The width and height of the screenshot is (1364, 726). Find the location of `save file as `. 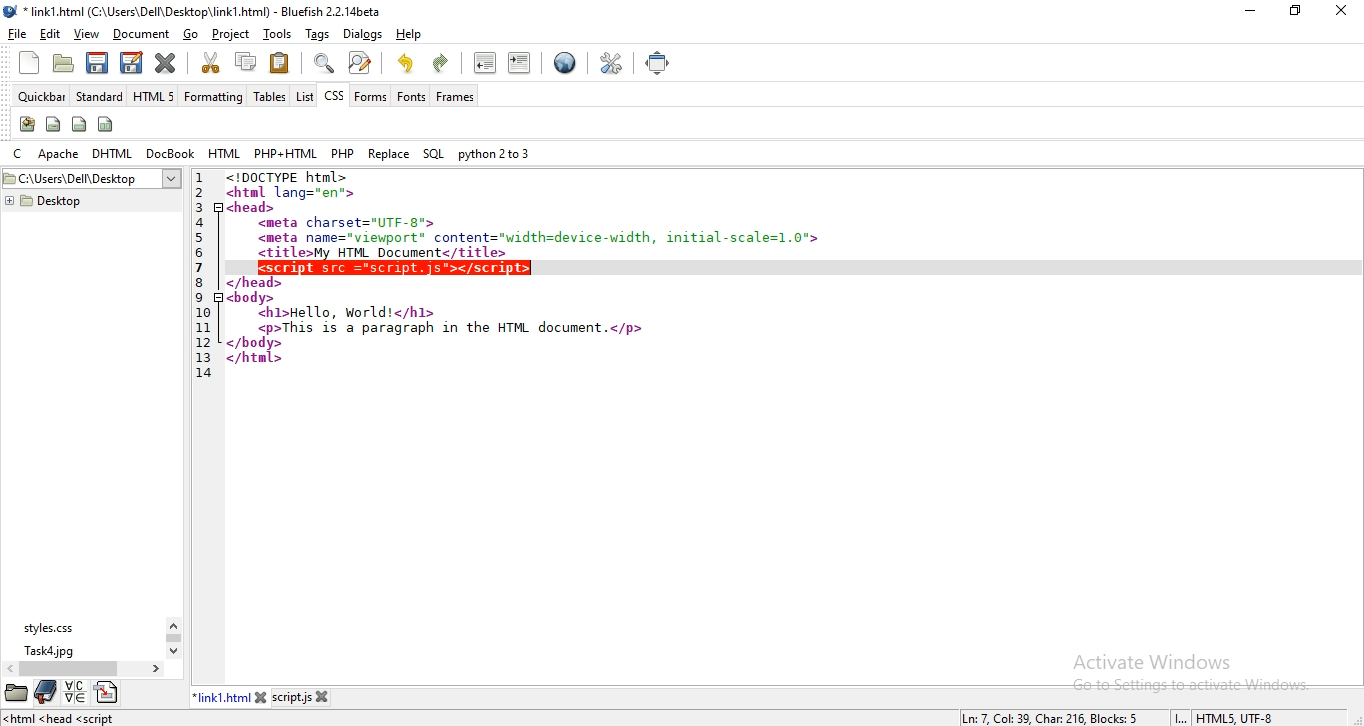

save file as  is located at coordinates (130, 63).